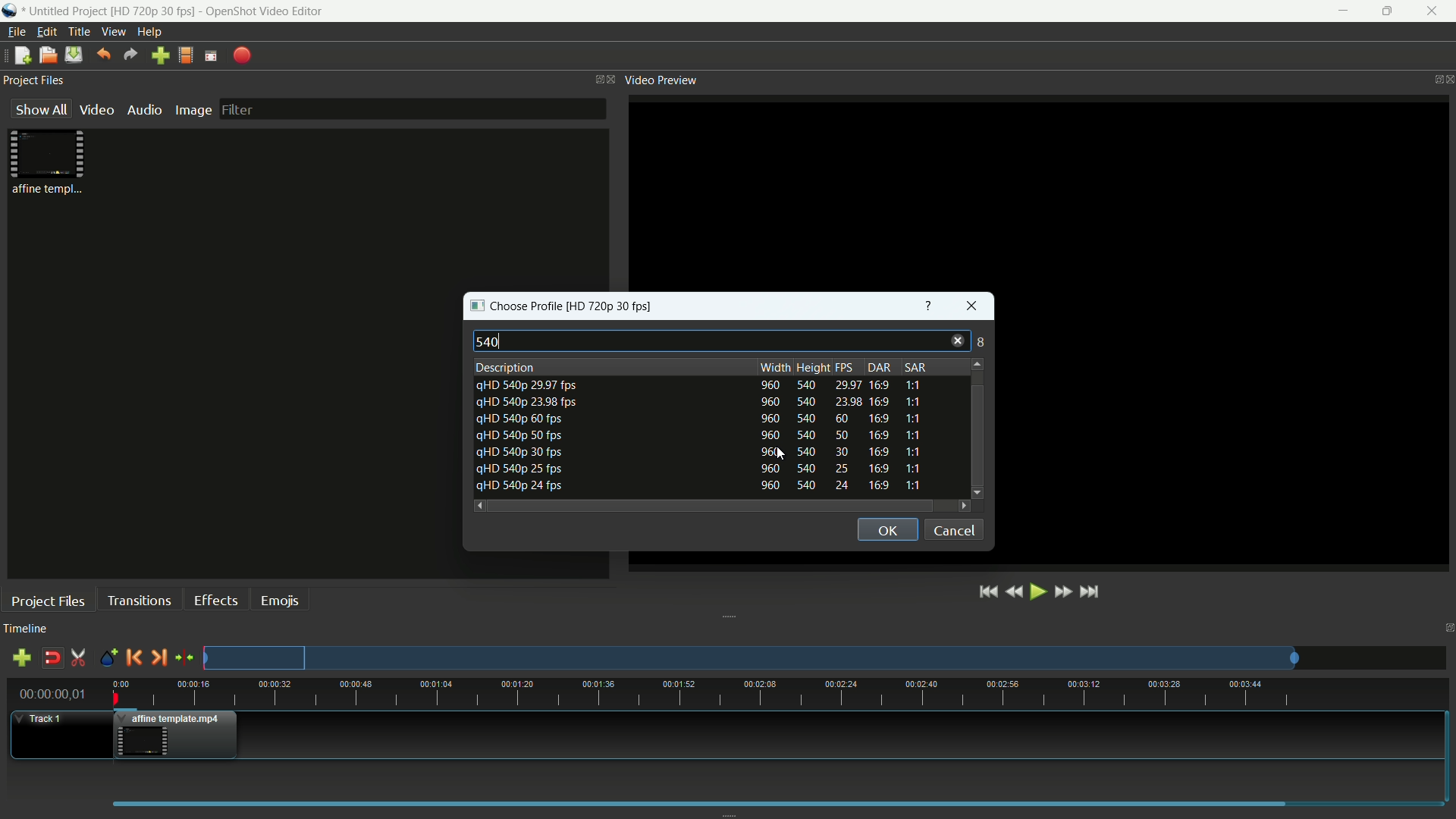  Describe the element at coordinates (103, 55) in the screenshot. I see `undo` at that location.